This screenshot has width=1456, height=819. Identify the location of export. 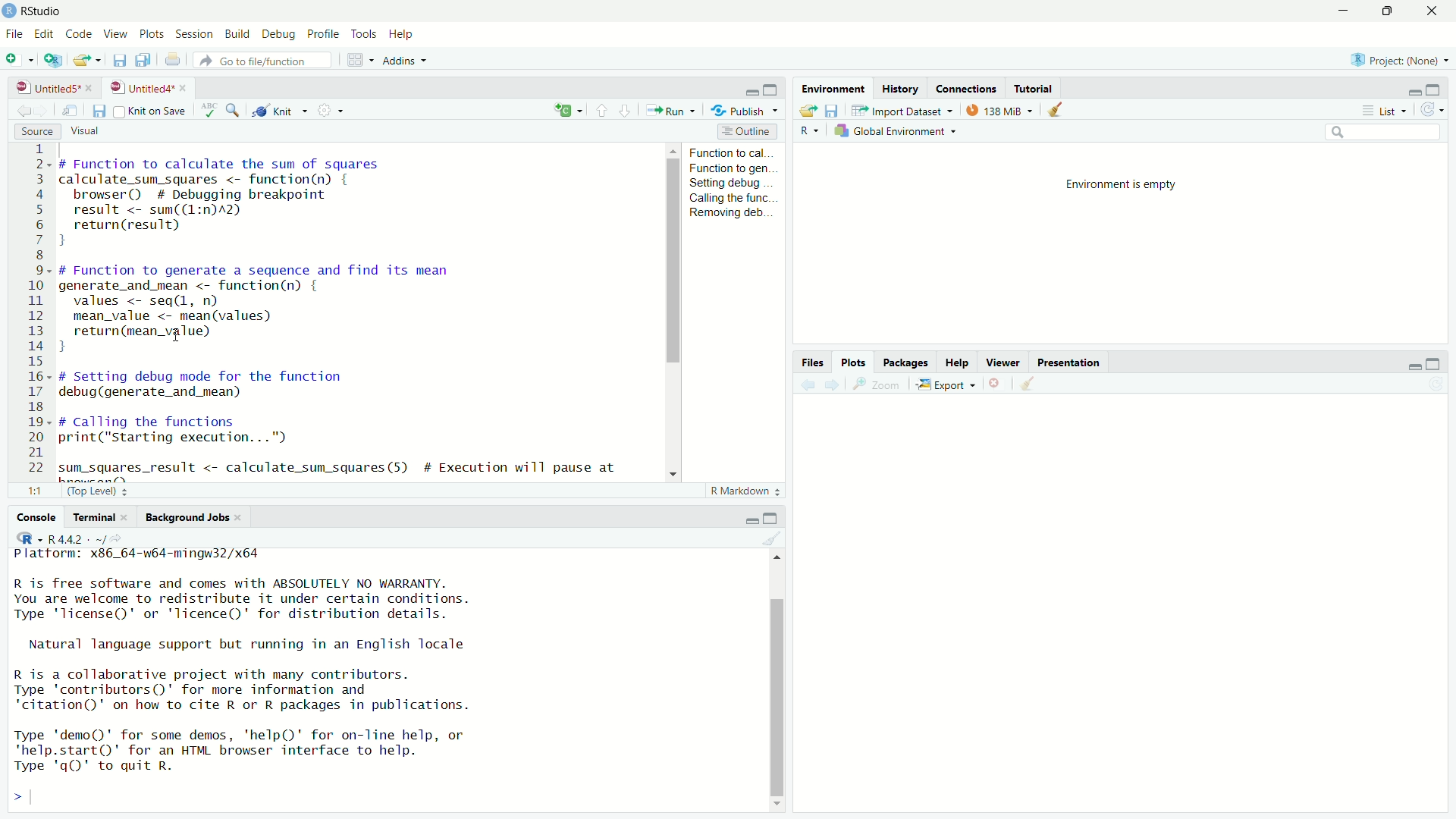
(946, 385).